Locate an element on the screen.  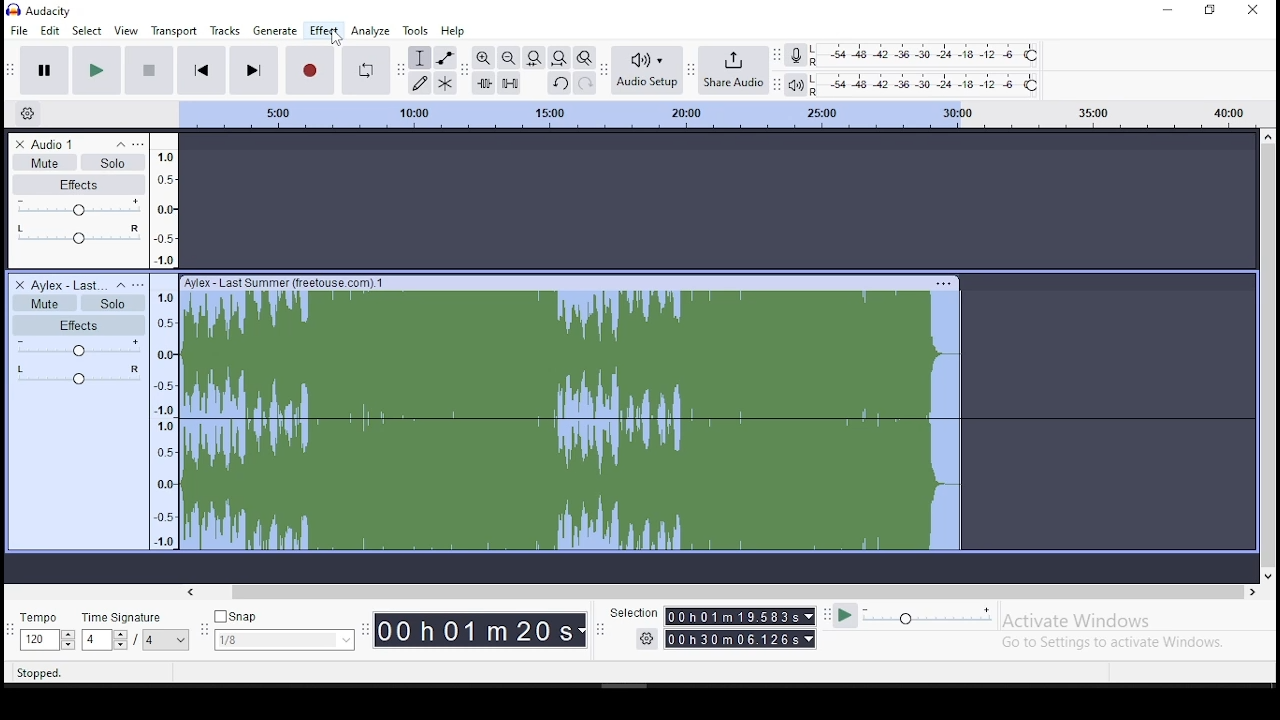
open menu is located at coordinates (139, 142).